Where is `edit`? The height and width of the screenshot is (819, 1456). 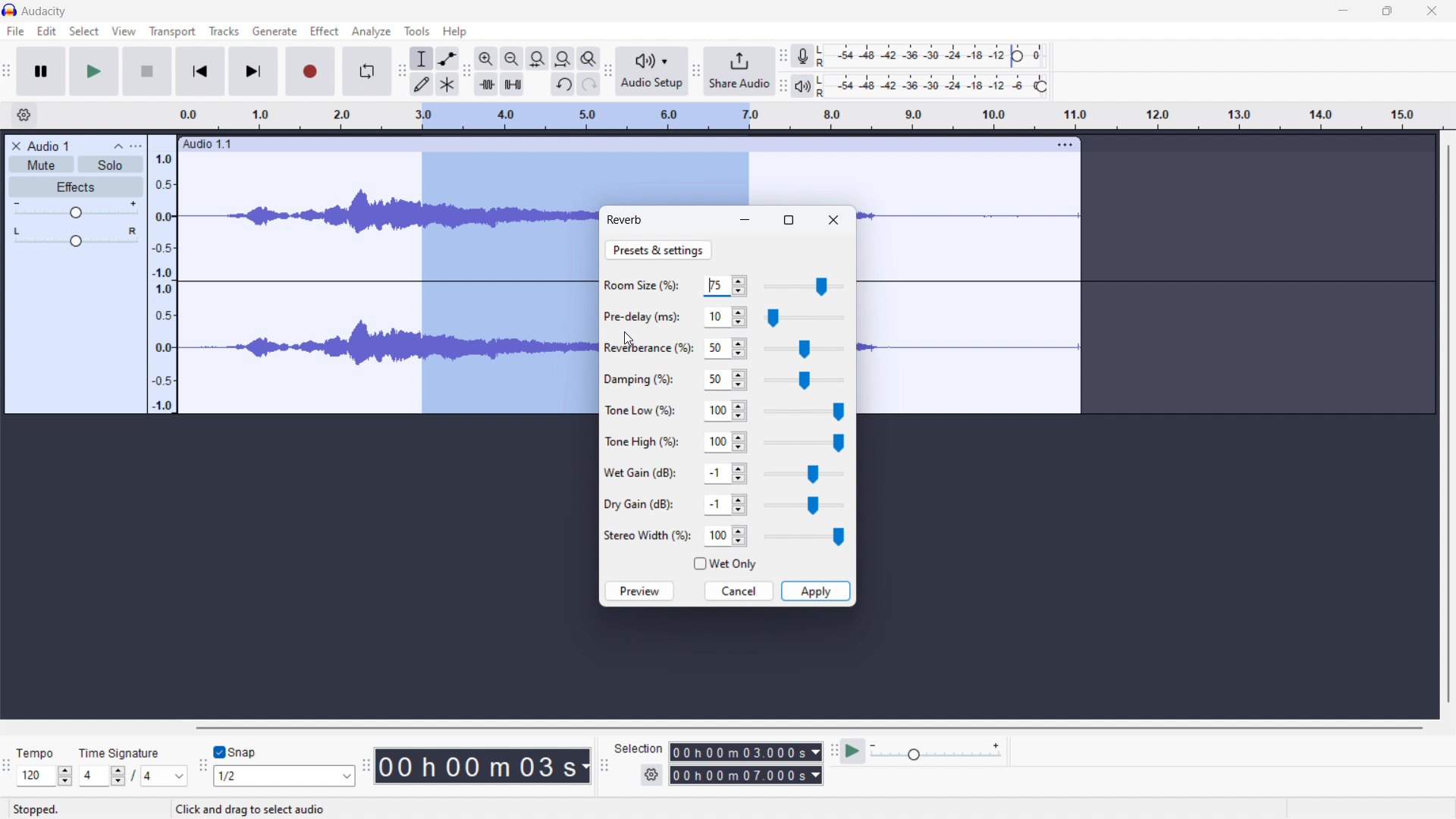 edit is located at coordinates (47, 30).